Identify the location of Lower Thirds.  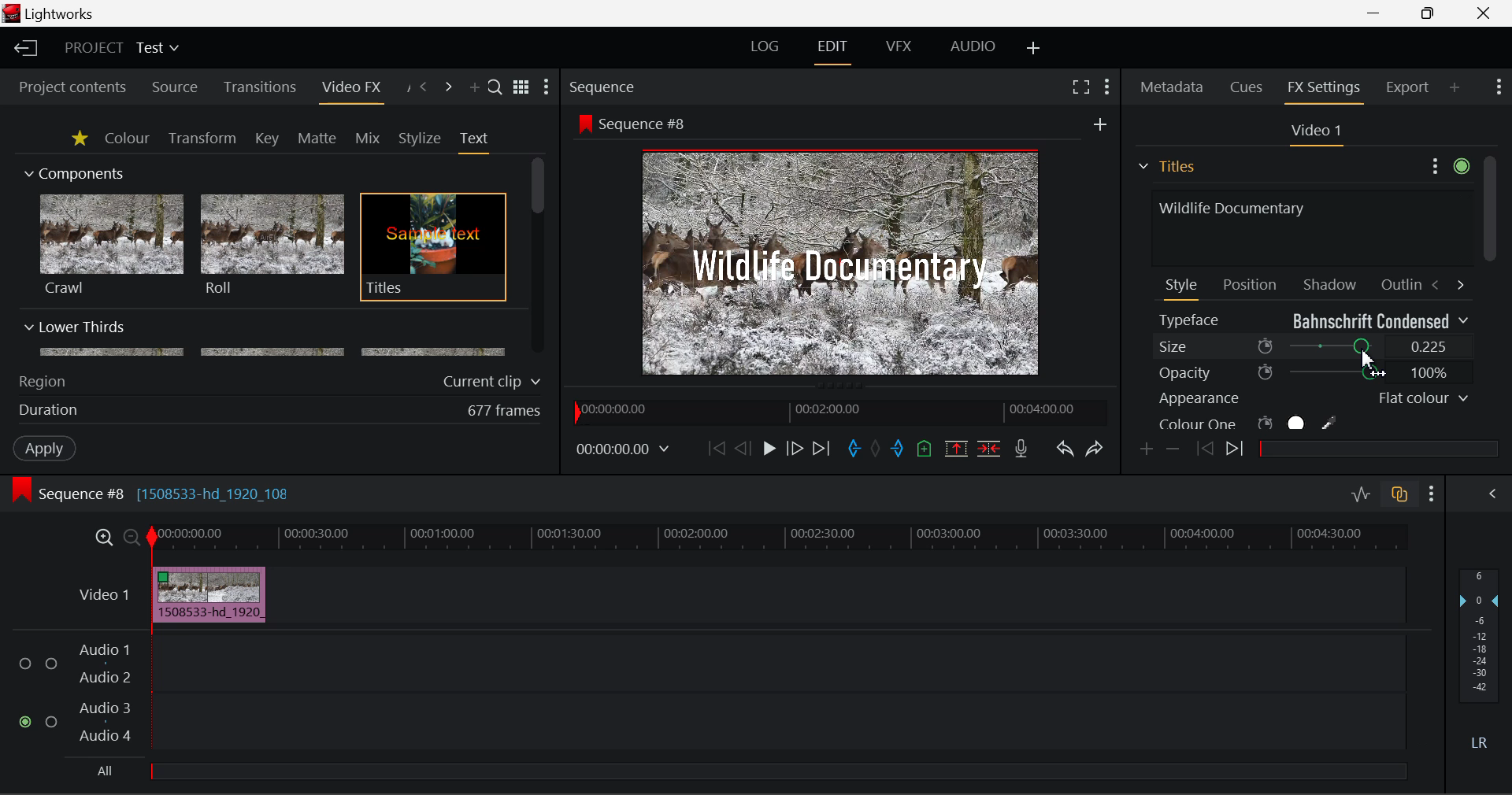
(266, 338).